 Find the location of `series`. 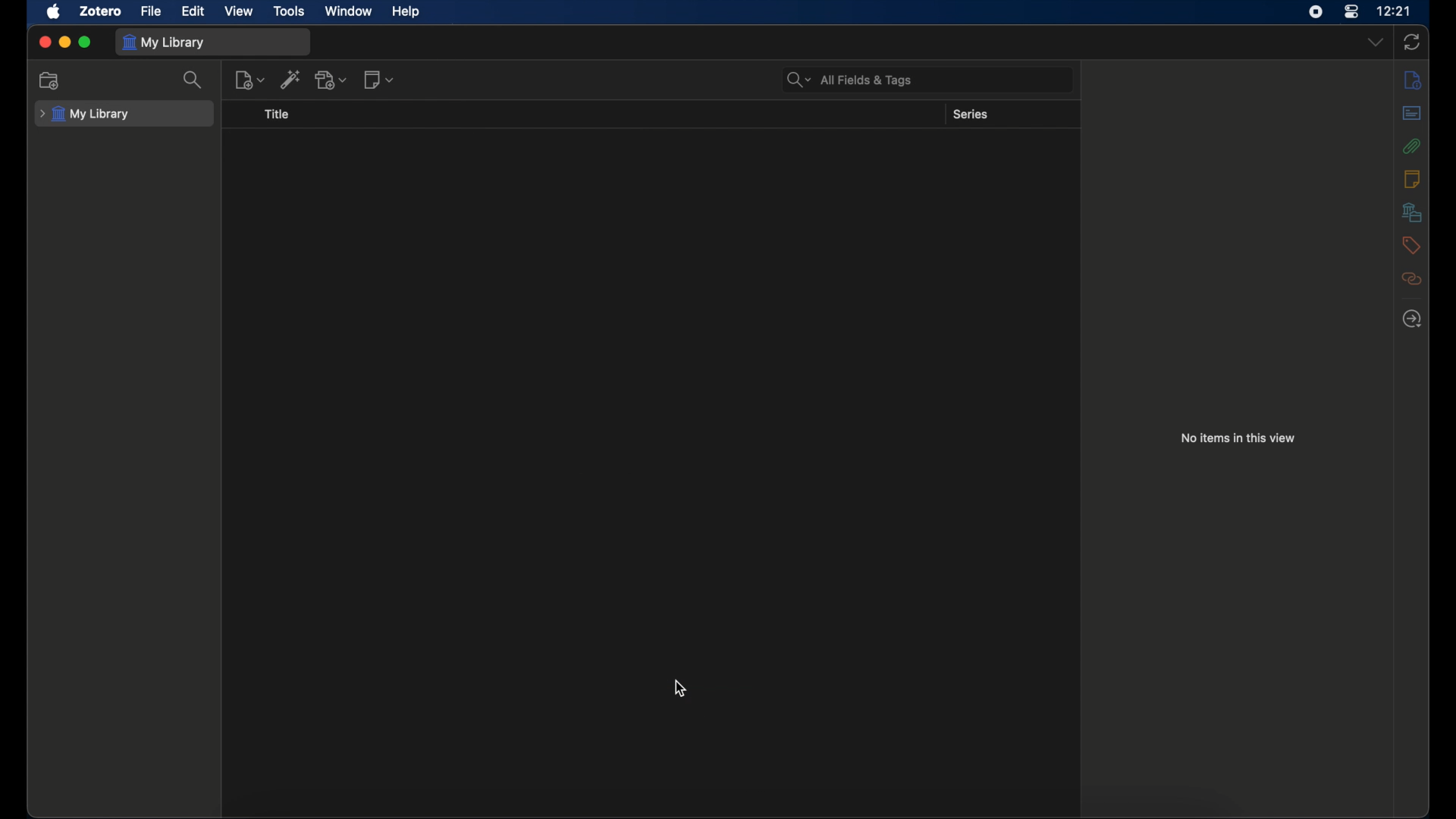

series is located at coordinates (971, 115).